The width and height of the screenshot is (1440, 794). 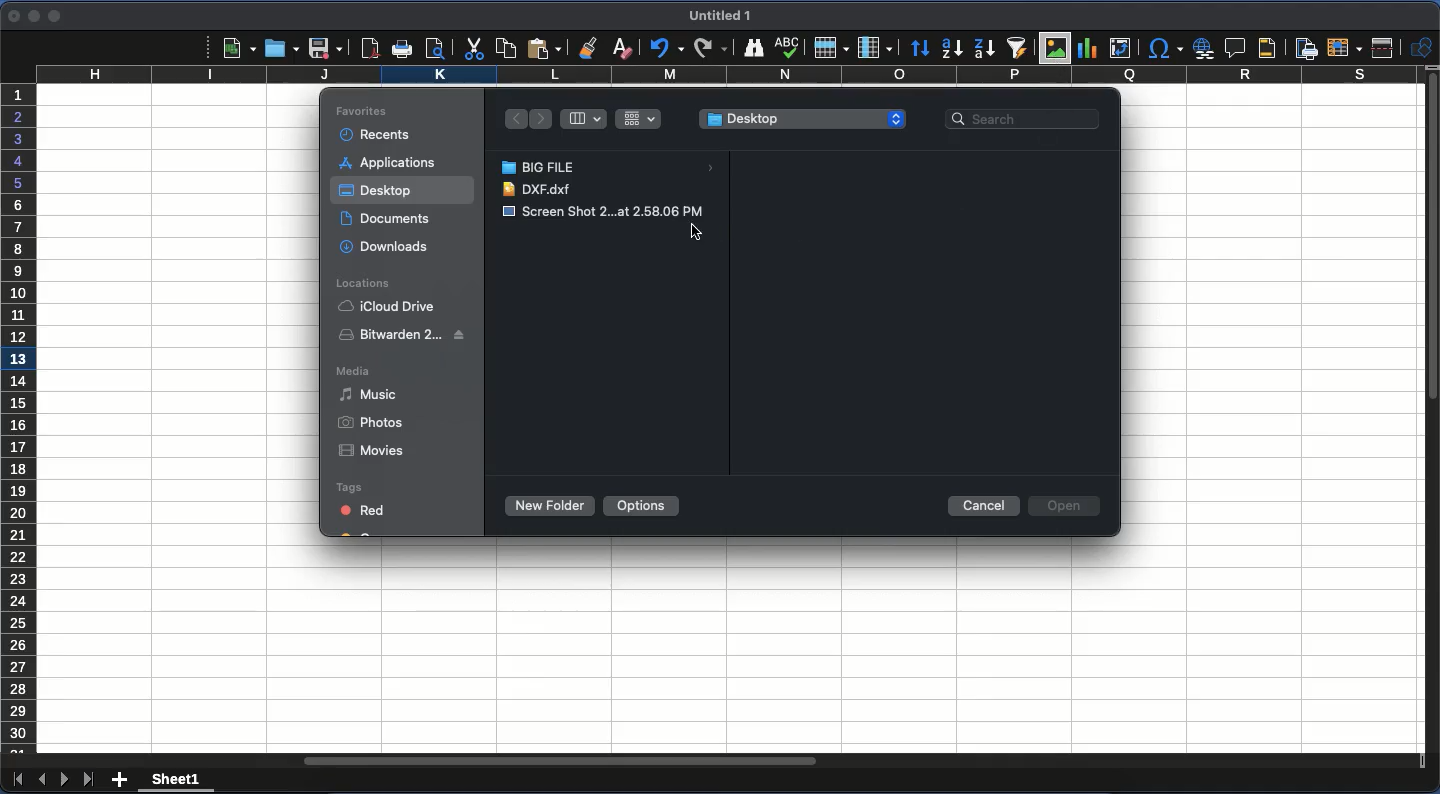 I want to click on cursor, so click(x=700, y=230).